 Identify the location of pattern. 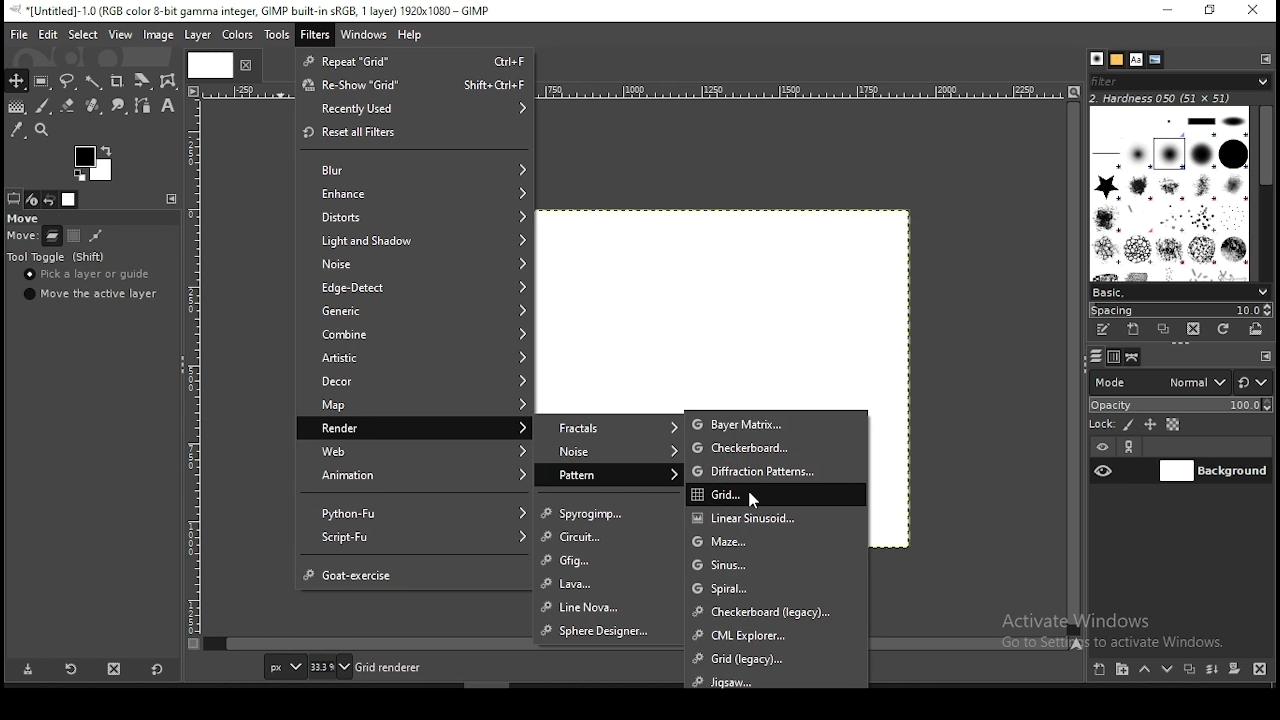
(610, 475).